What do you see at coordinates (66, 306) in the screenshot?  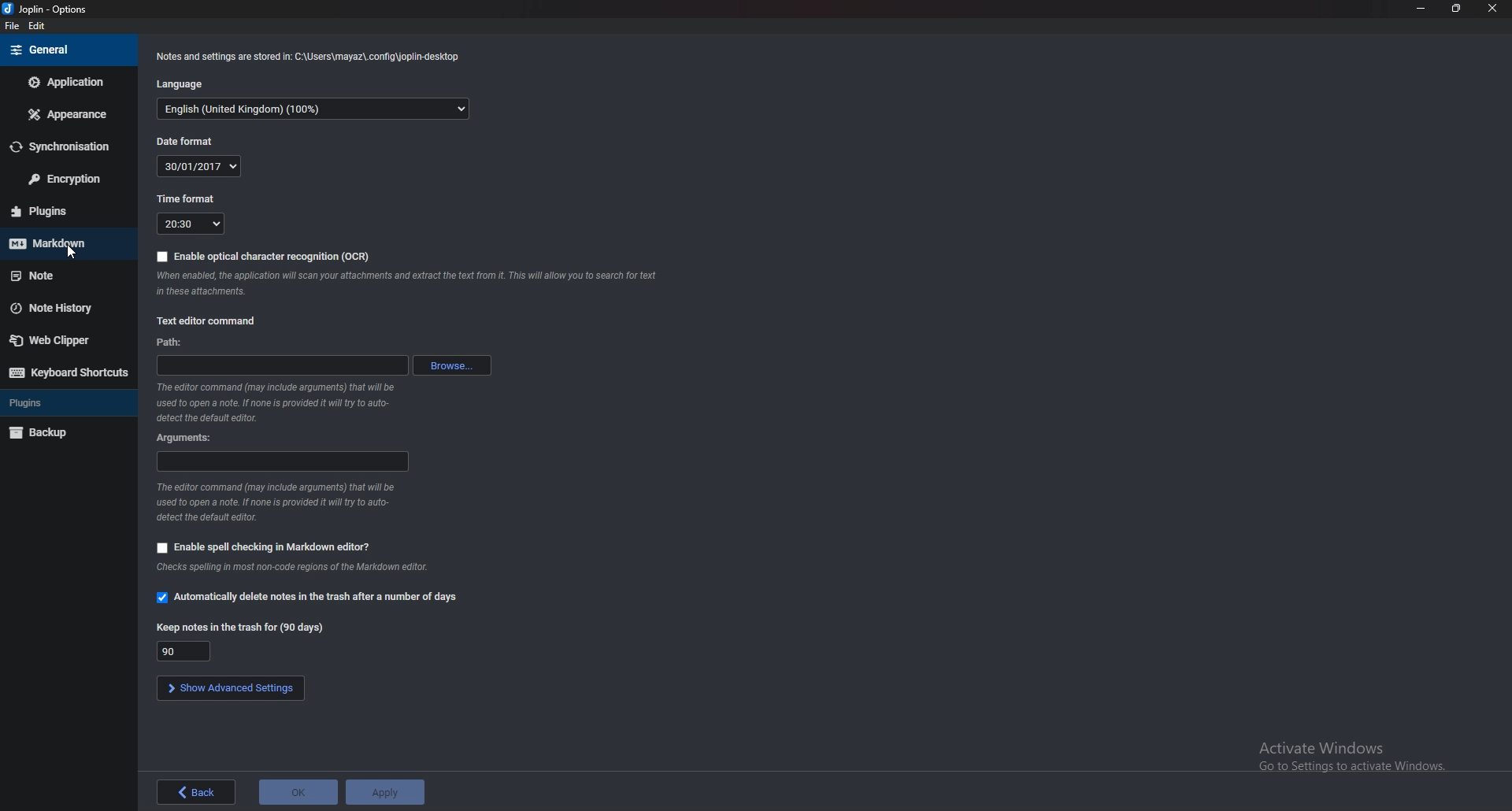 I see `note history` at bounding box center [66, 306].